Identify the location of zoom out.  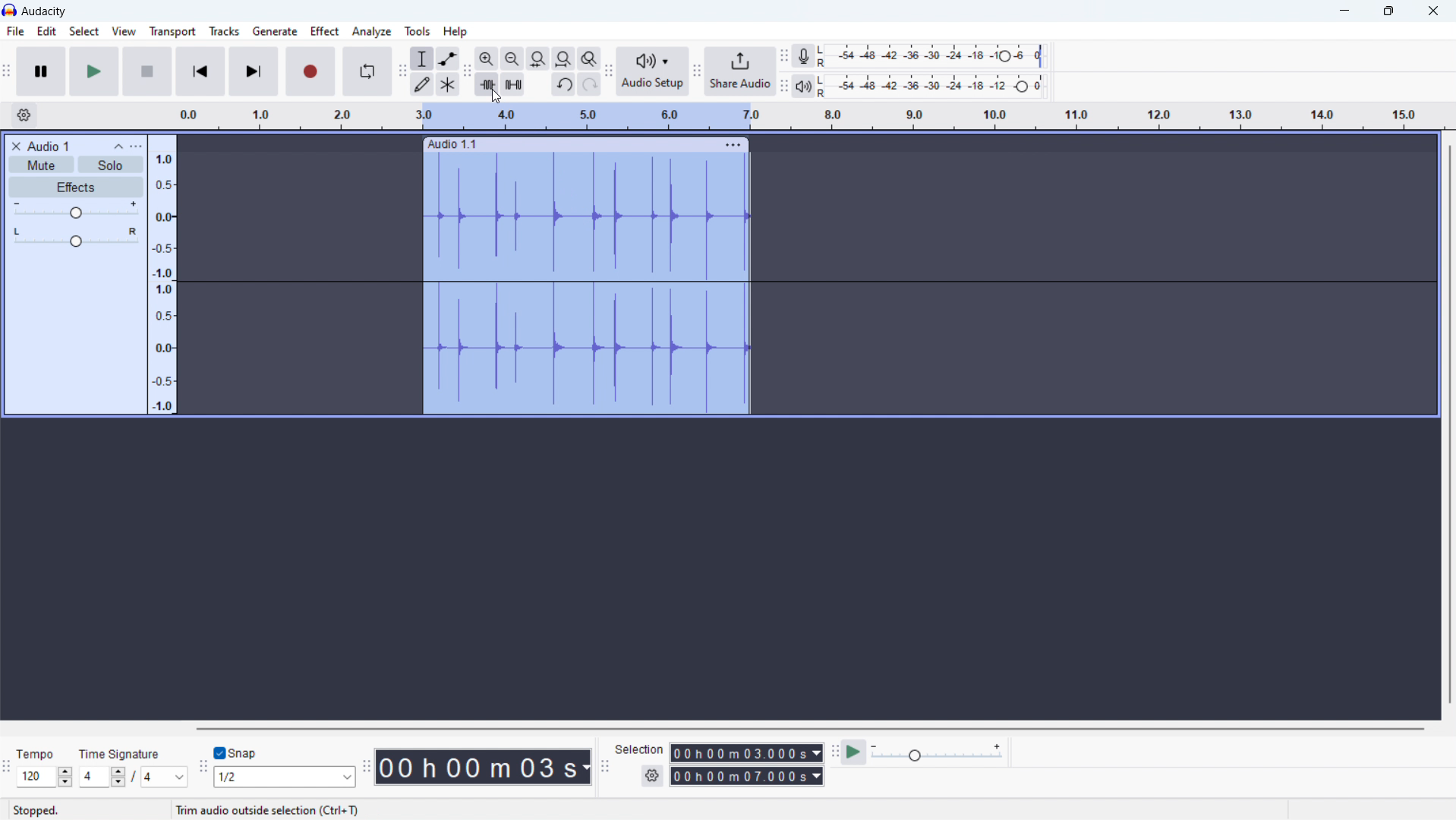
(512, 58).